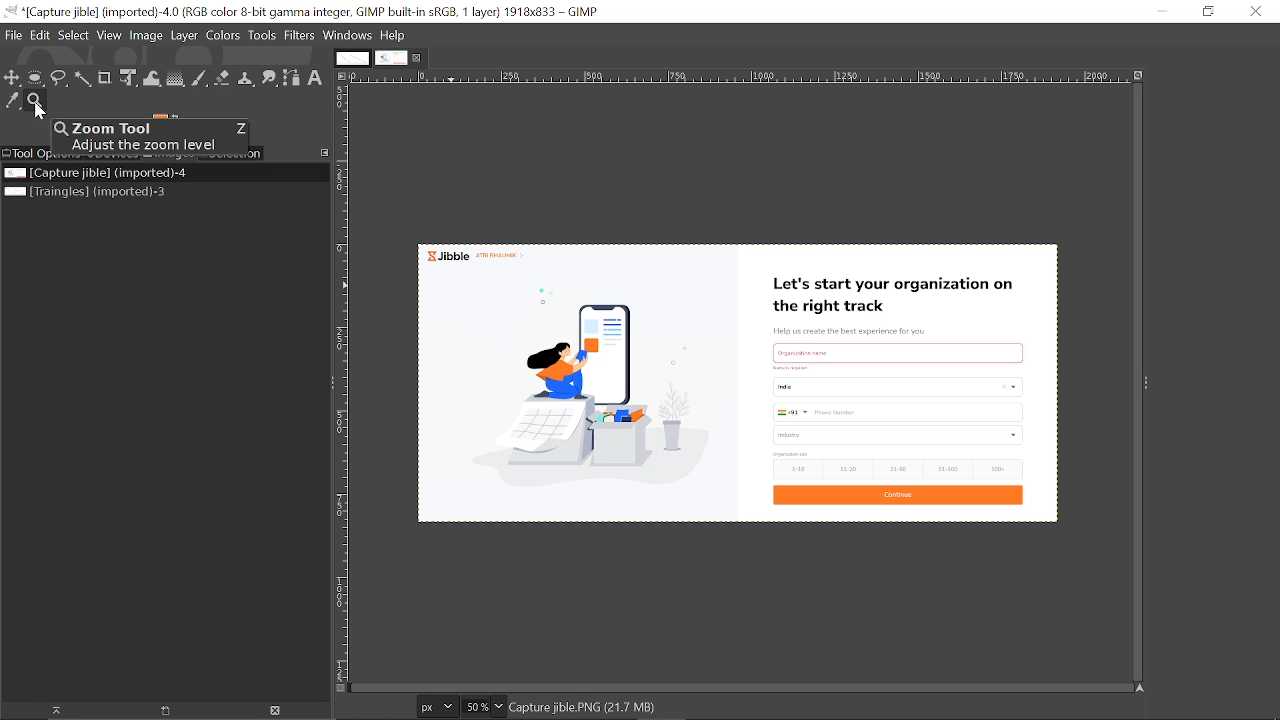 Image resolution: width=1280 pixels, height=720 pixels. Describe the element at coordinates (58, 79) in the screenshot. I see `Free select tool` at that location.